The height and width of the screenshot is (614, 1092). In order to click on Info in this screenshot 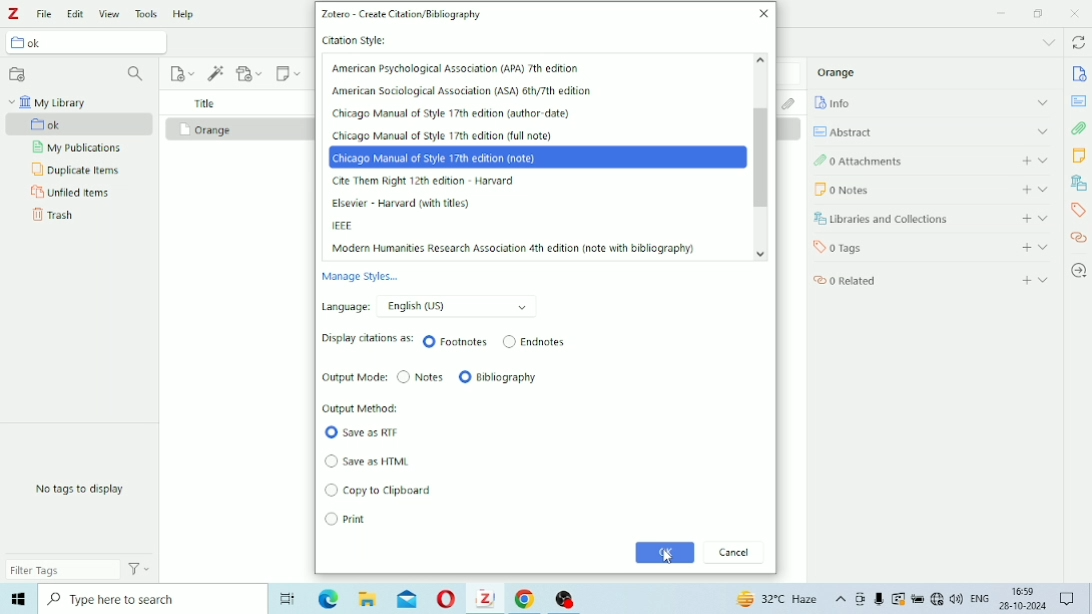, I will do `click(1080, 74)`.